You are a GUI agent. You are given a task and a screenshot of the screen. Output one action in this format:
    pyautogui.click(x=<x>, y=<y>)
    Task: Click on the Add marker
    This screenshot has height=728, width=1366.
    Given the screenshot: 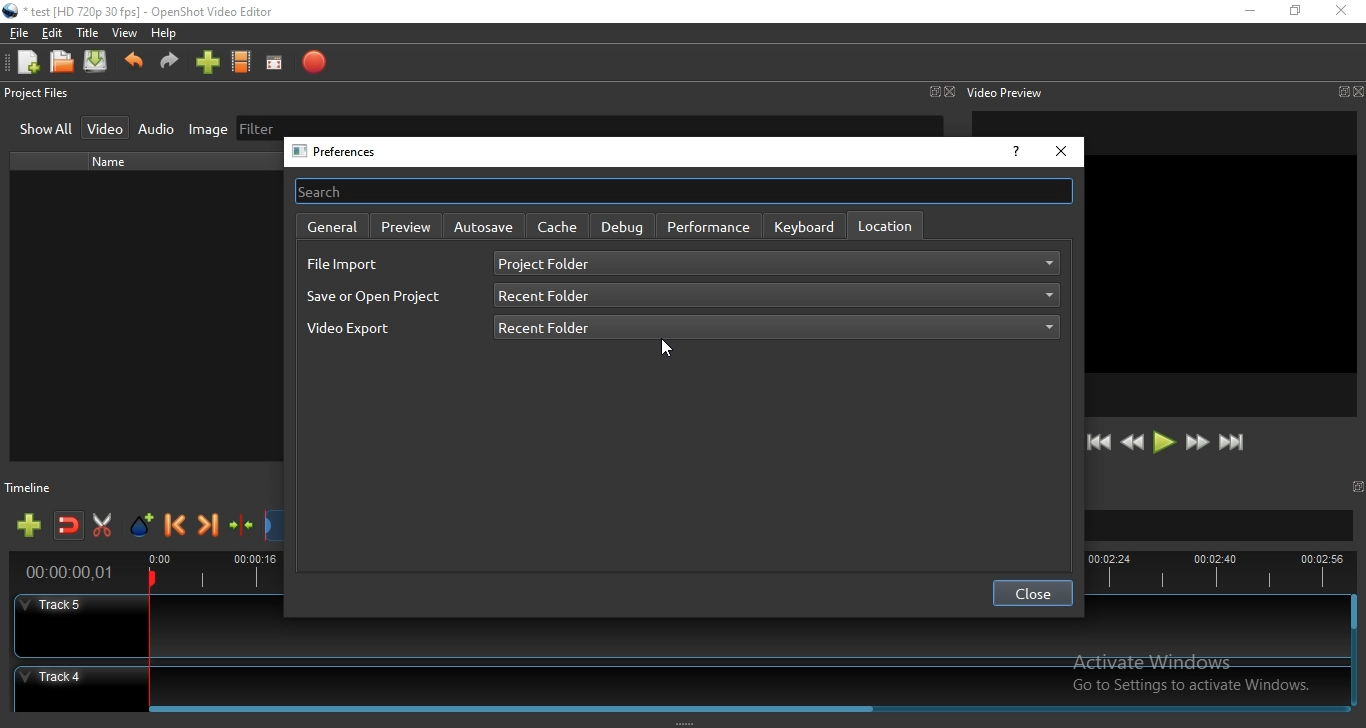 What is the action you would take?
    pyautogui.click(x=143, y=526)
    